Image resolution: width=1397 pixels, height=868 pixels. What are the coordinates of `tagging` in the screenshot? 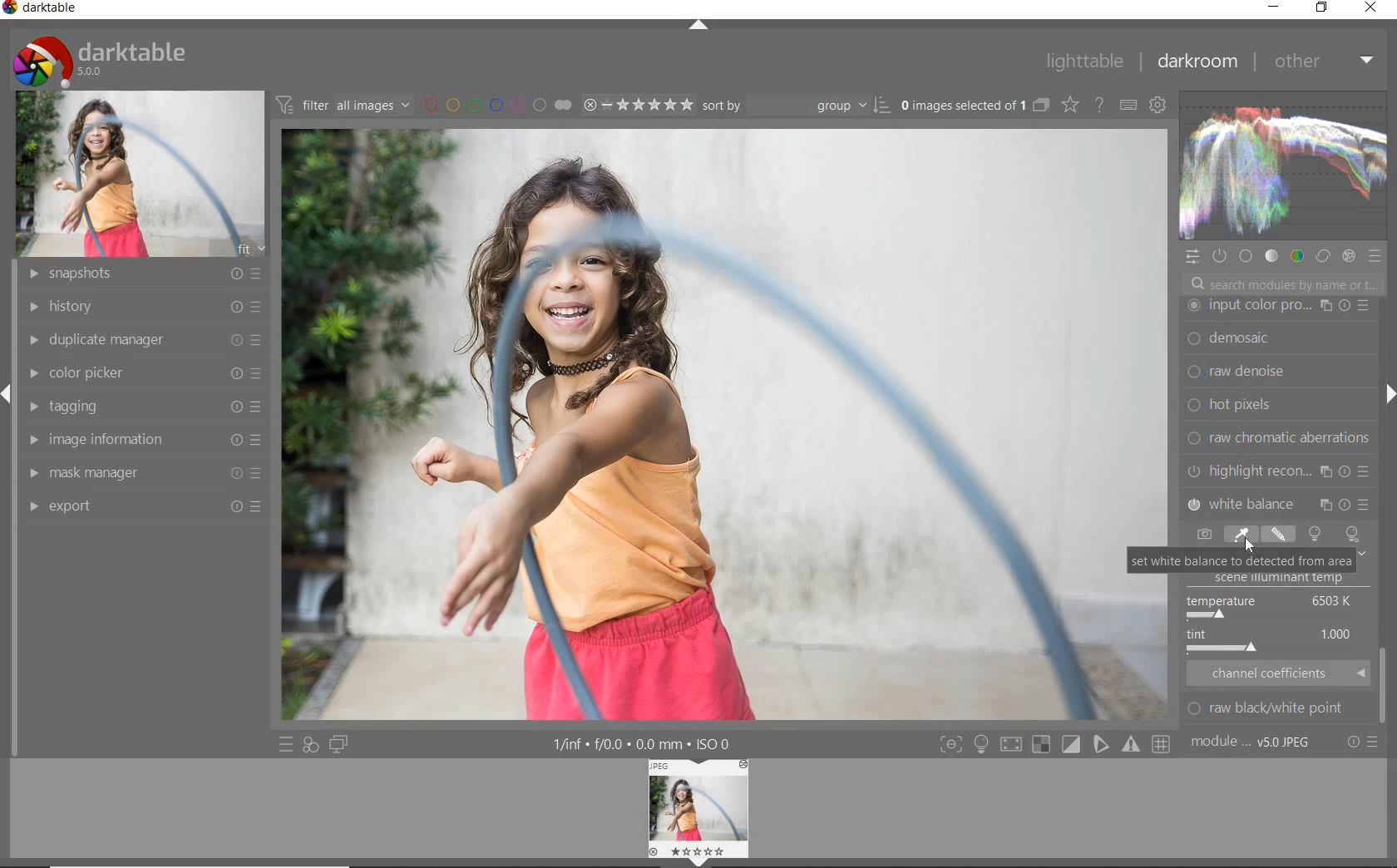 It's located at (143, 407).